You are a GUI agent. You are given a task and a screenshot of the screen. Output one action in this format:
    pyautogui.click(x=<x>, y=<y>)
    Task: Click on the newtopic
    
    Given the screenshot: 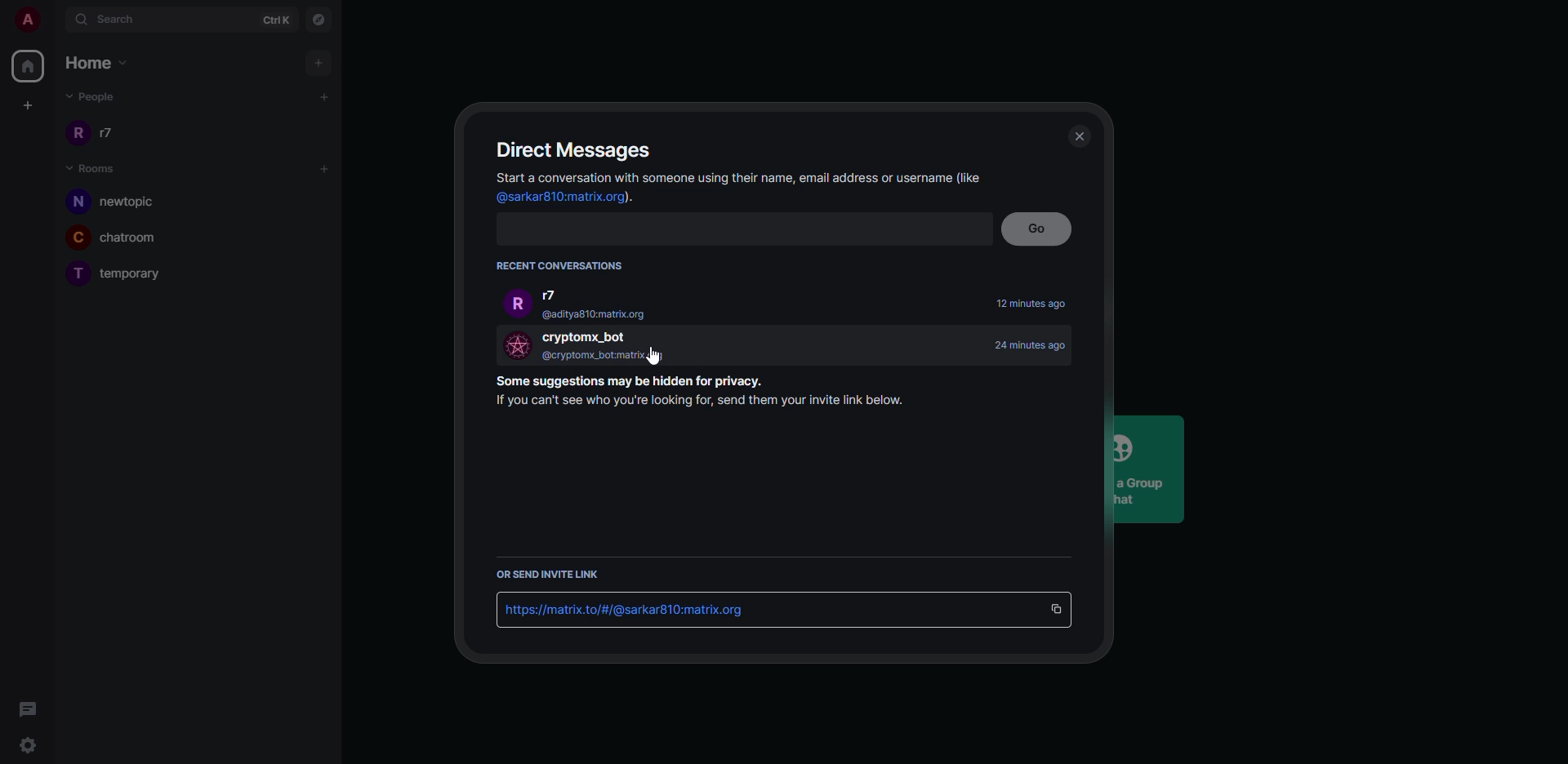 What is the action you would take?
    pyautogui.click(x=136, y=202)
    